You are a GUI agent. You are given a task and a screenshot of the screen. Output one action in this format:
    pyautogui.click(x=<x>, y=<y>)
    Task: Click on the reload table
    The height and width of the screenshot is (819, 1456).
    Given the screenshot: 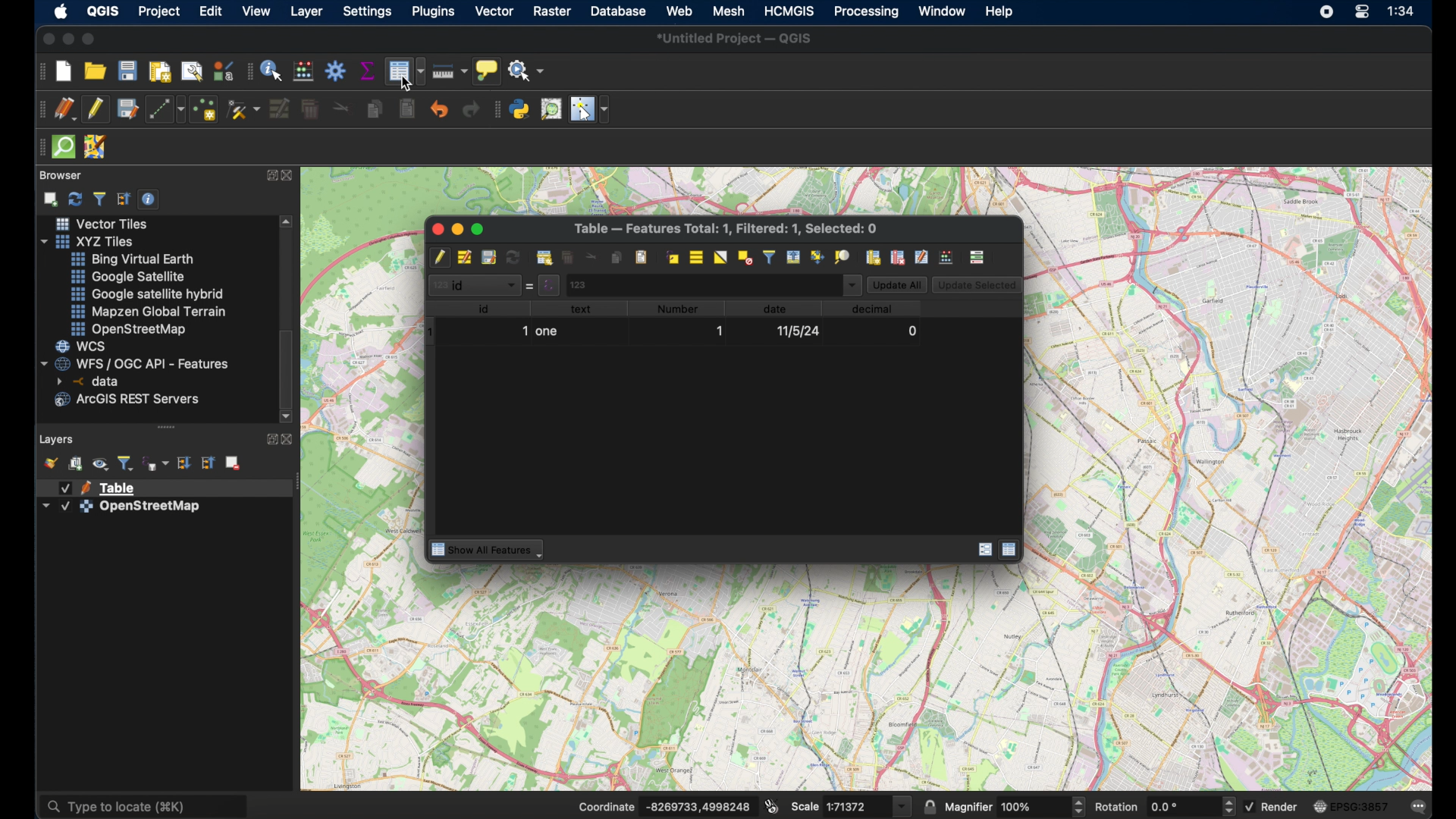 What is the action you would take?
    pyautogui.click(x=513, y=256)
    